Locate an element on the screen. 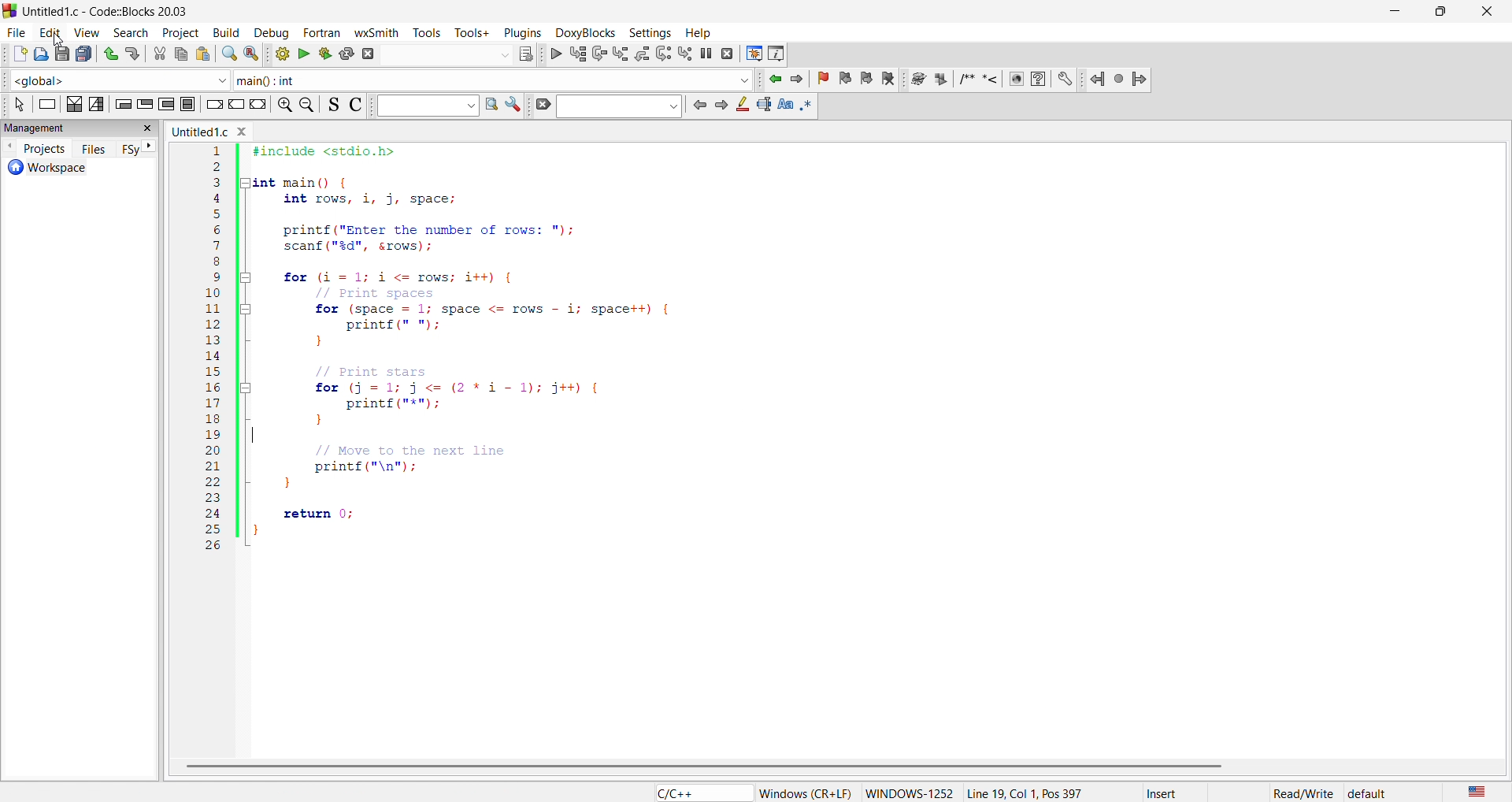 This screenshot has height=802, width=1512. zoom in  is located at coordinates (286, 106).